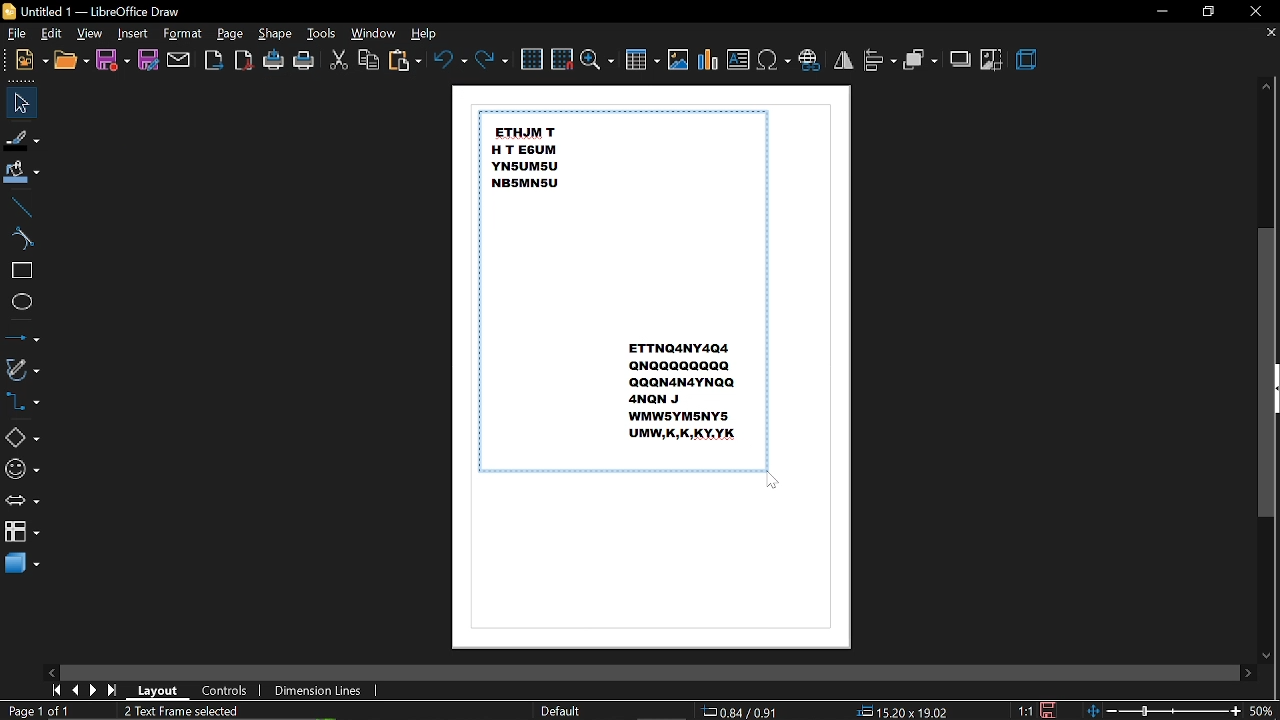 The image size is (1280, 720). I want to click on curve, so click(21, 238).